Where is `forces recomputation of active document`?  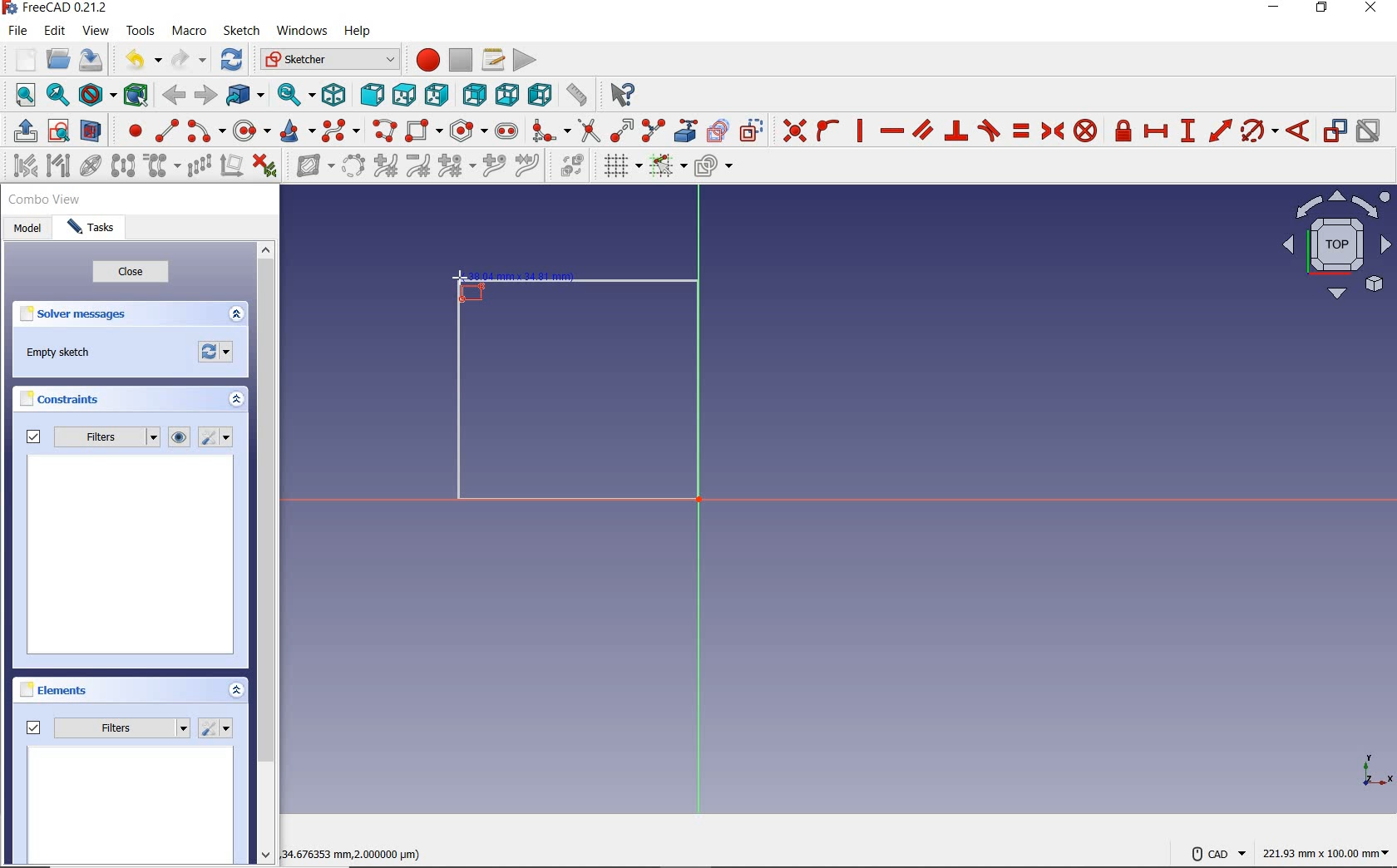
forces recomputation of active document is located at coordinates (216, 356).